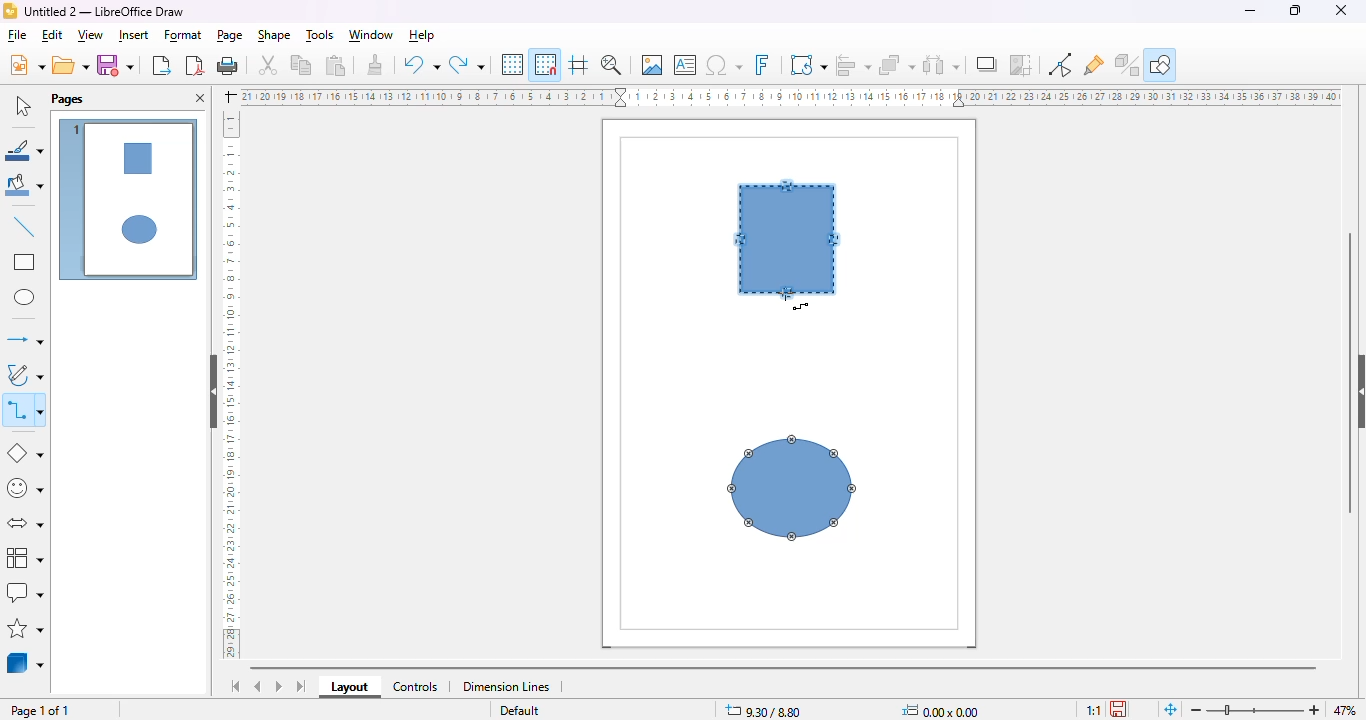 This screenshot has height=720, width=1366. I want to click on basic shapes, so click(26, 454).